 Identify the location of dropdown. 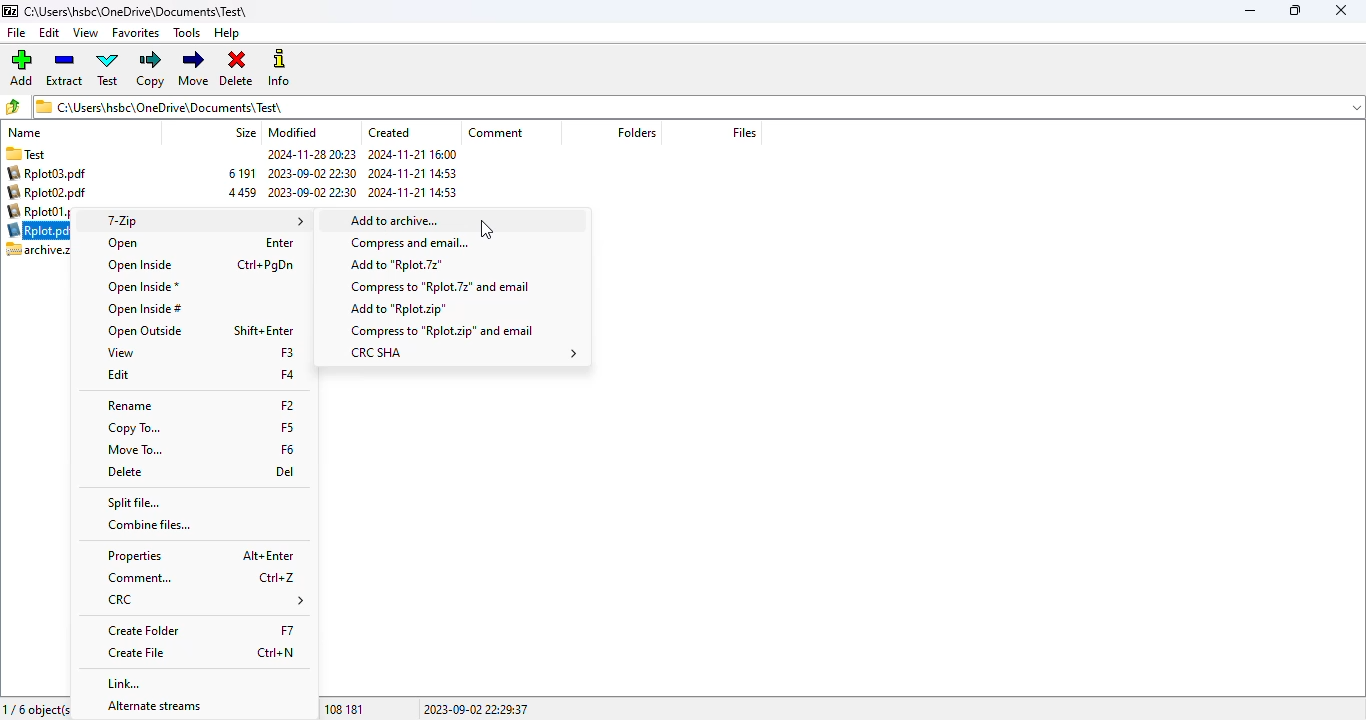
(1355, 107).